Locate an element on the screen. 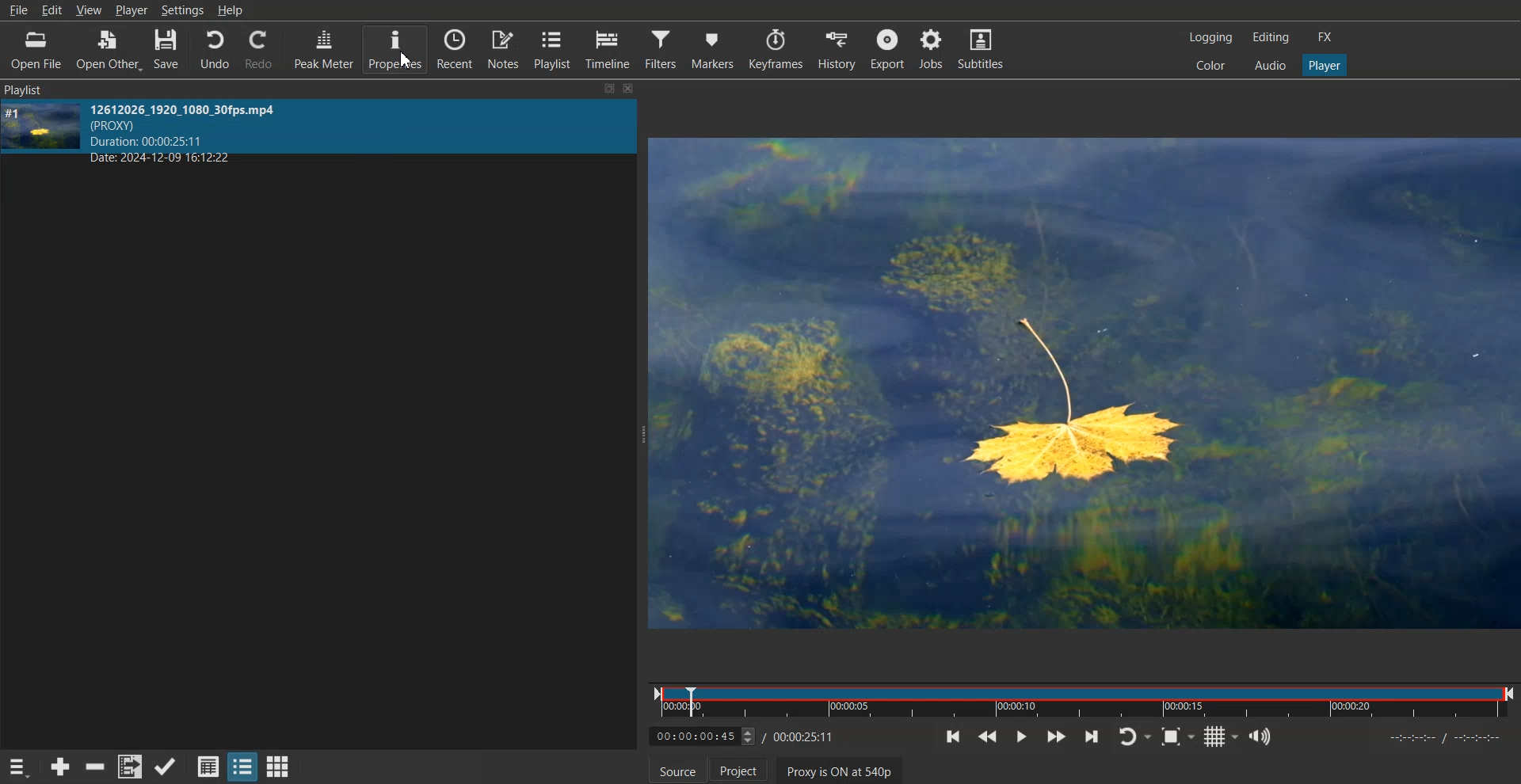  Audio is located at coordinates (1268, 65).